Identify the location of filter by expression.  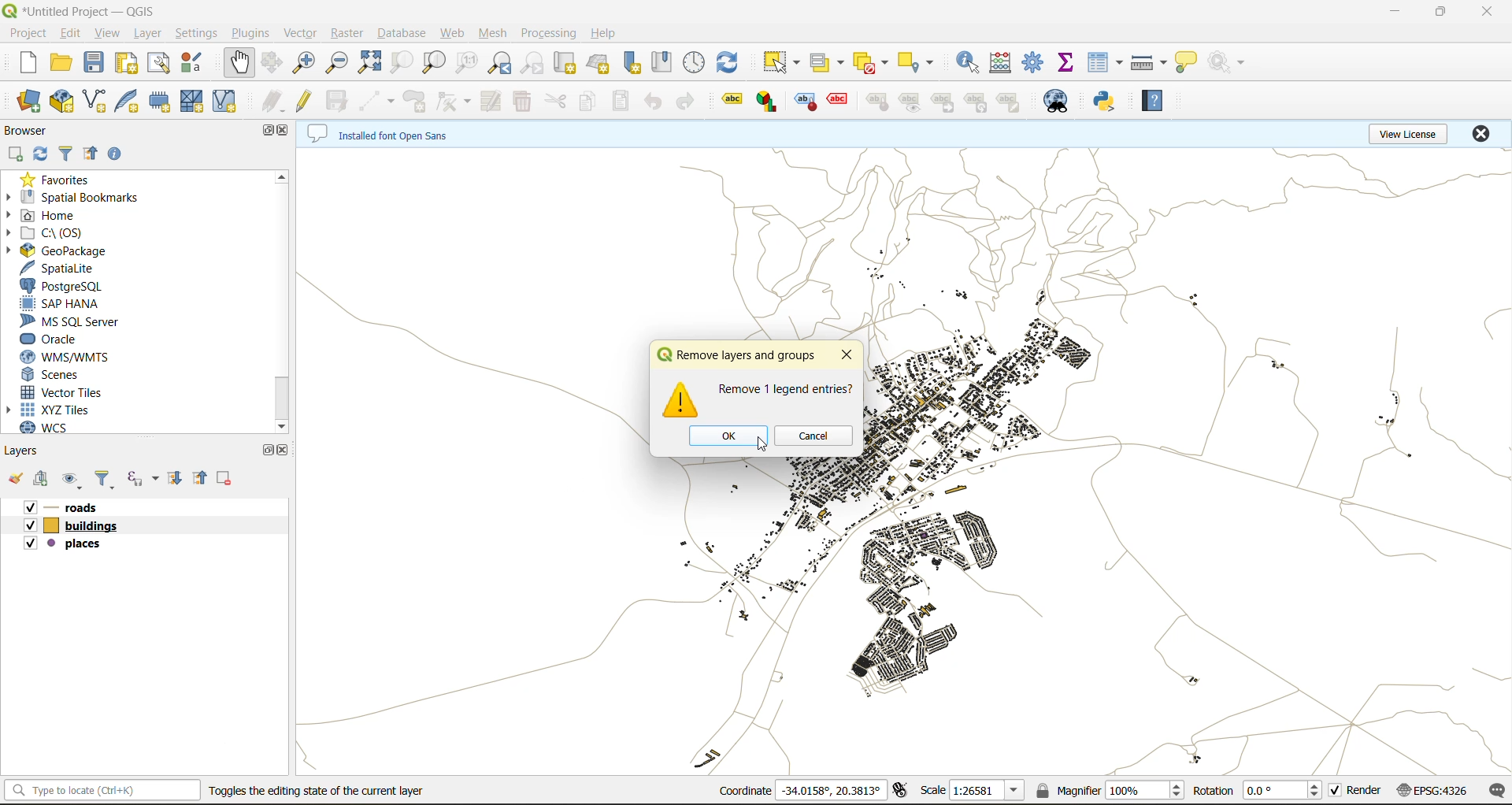
(142, 478).